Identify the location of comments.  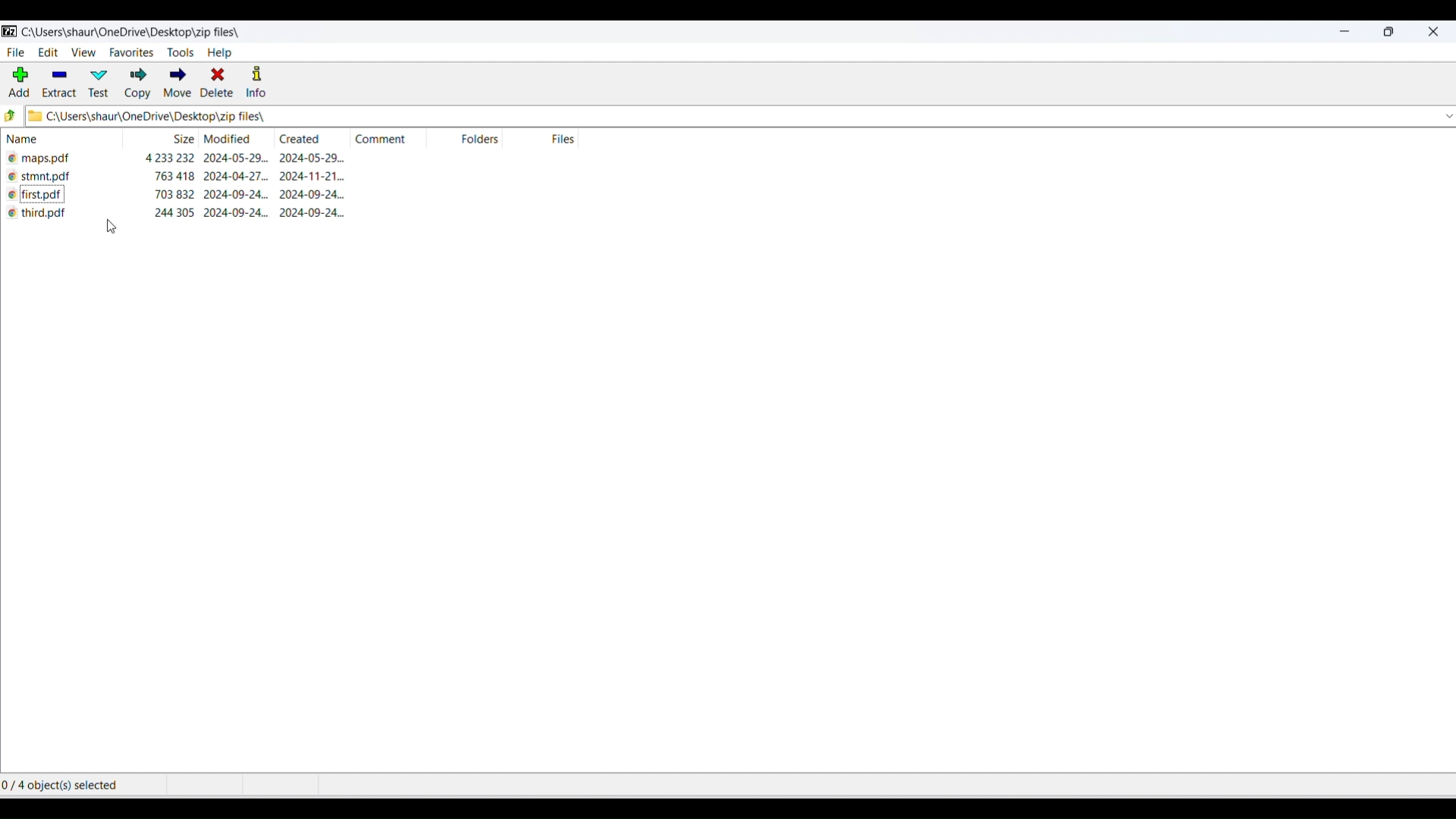
(380, 140).